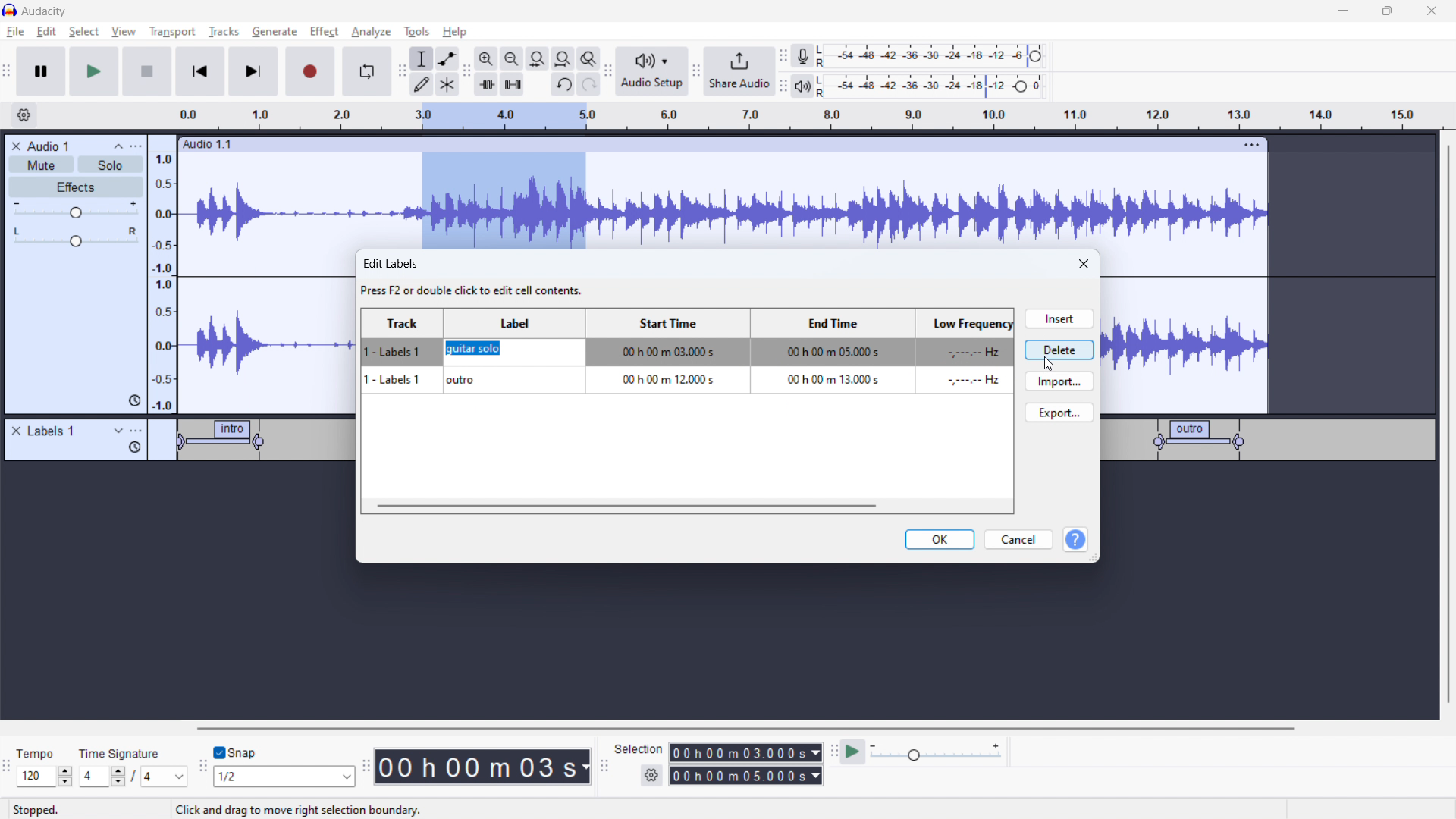 The width and height of the screenshot is (1456, 819). What do you see at coordinates (607, 71) in the screenshot?
I see `audio setup toolbar` at bounding box center [607, 71].